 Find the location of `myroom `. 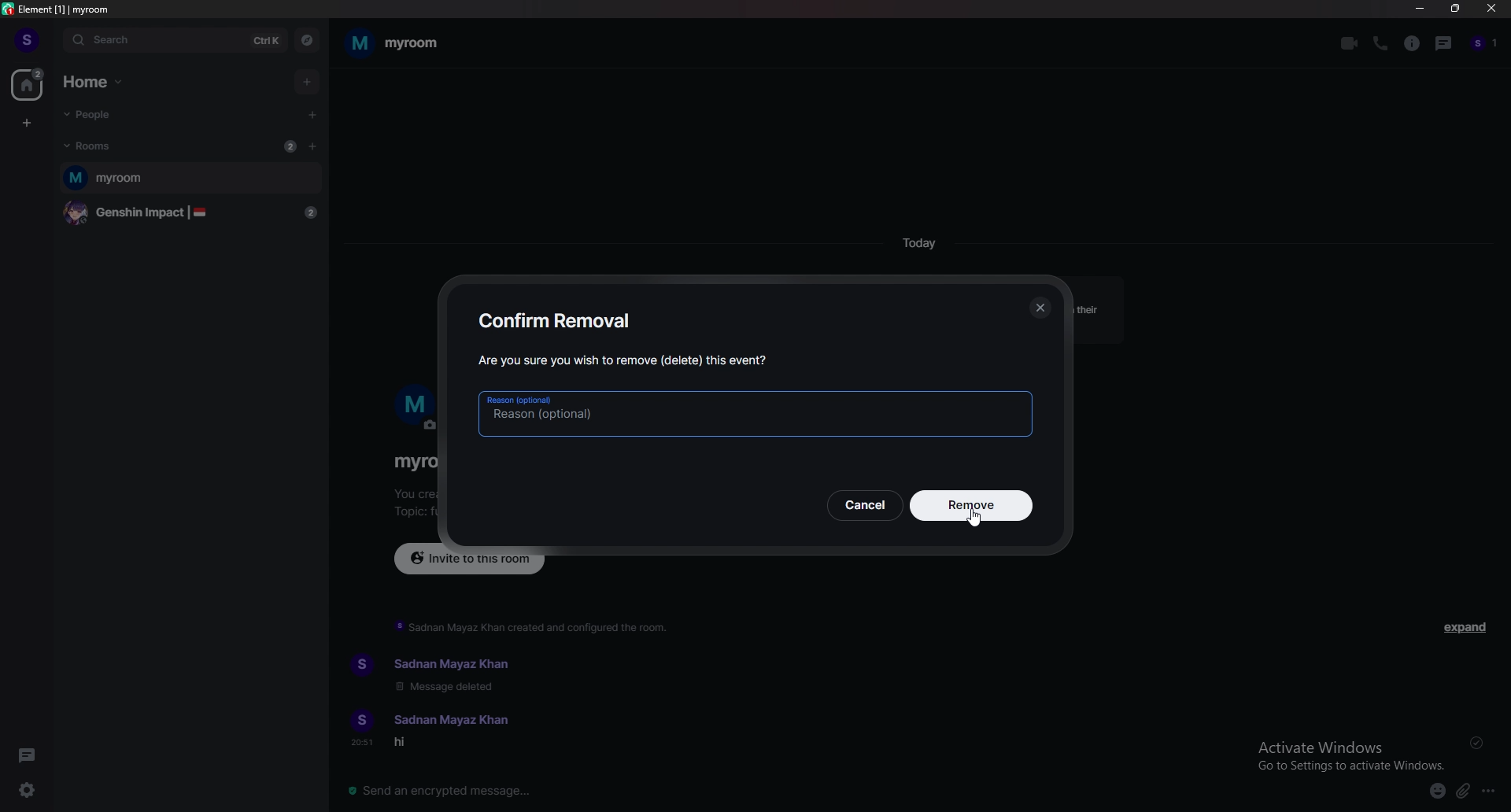

myroom  is located at coordinates (394, 42).